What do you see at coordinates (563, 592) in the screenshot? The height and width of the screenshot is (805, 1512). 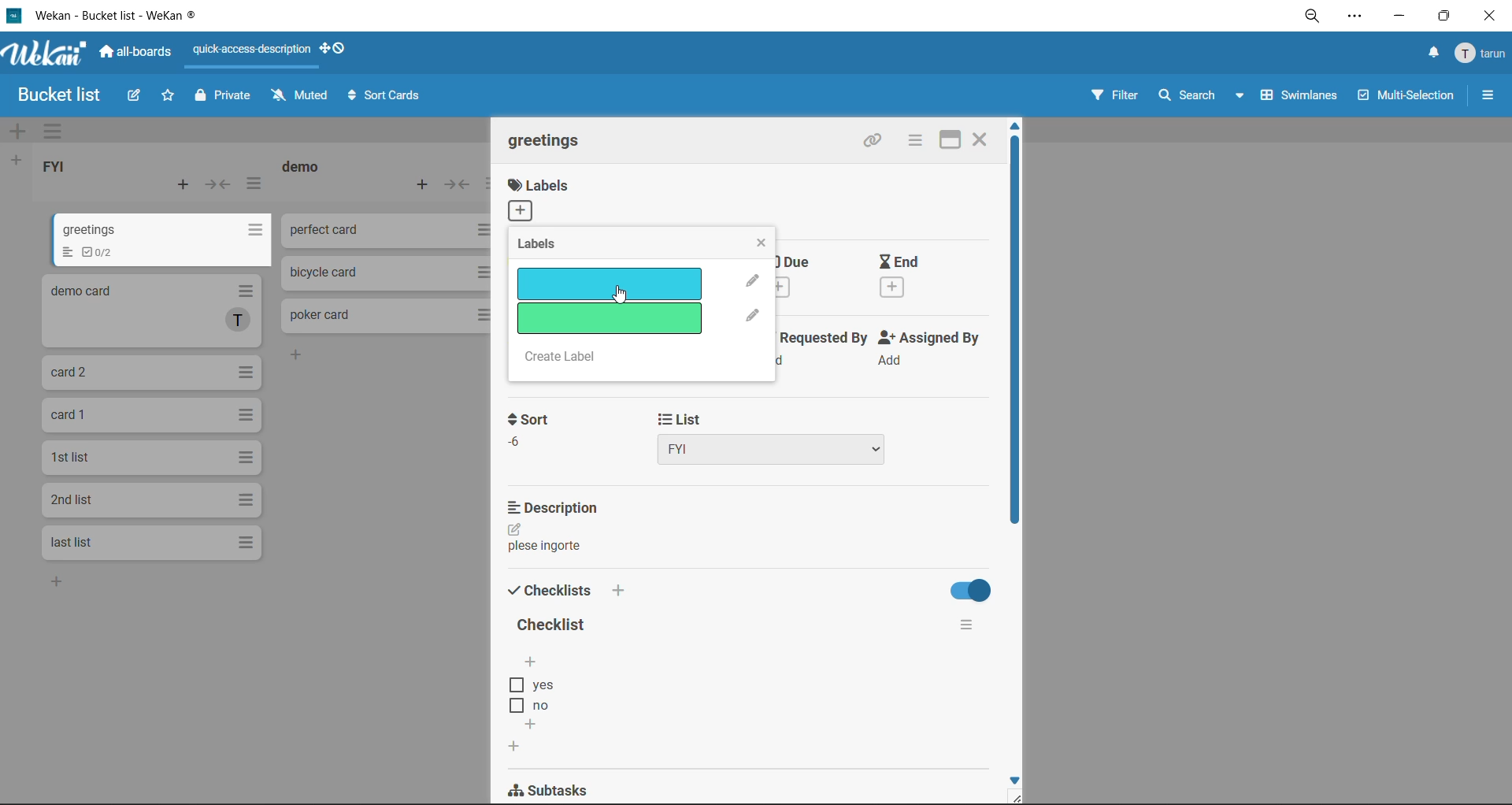 I see `checklists` at bounding box center [563, 592].